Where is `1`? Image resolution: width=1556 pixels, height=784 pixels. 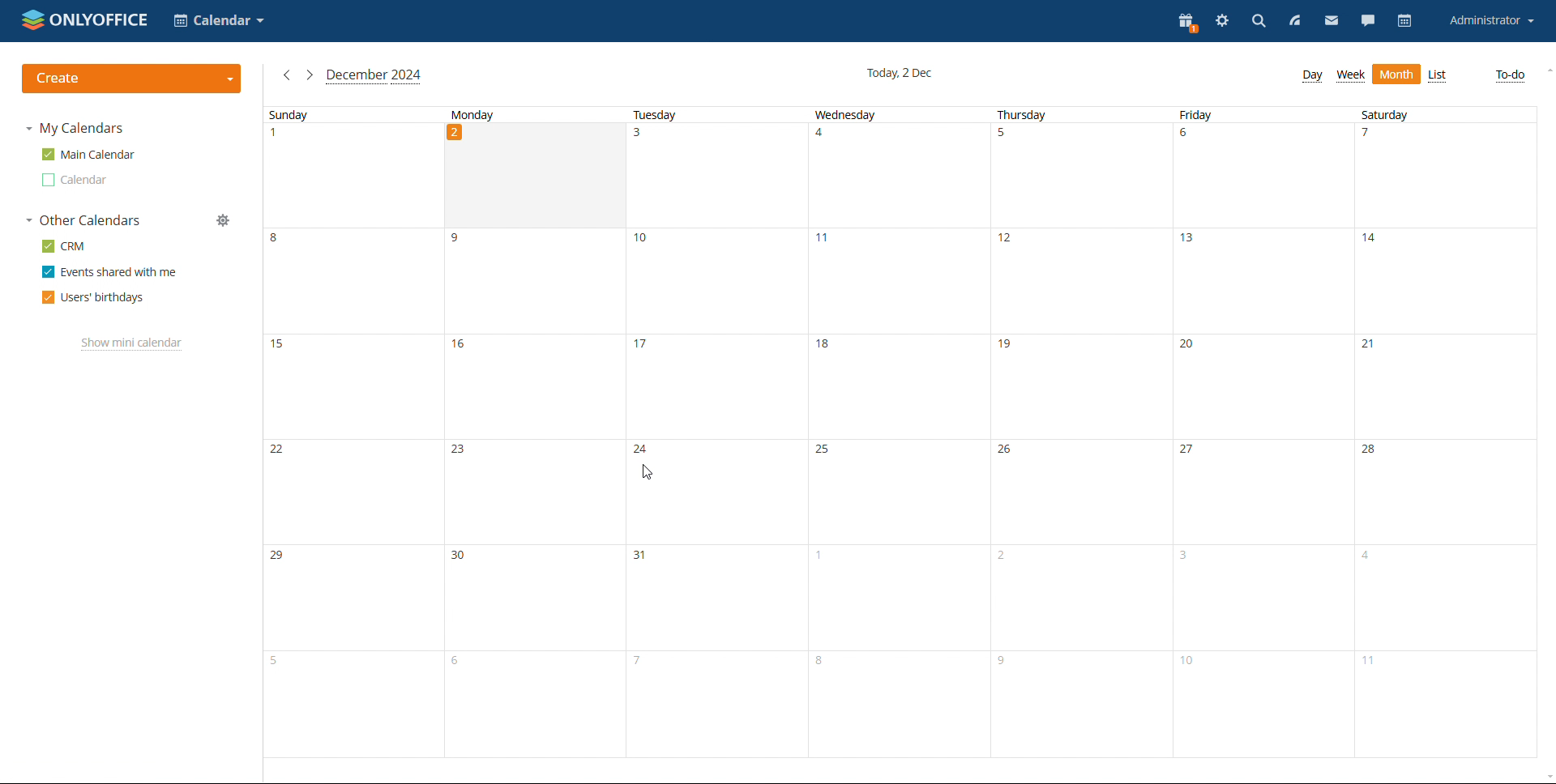 1 is located at coordinates (278, 138).